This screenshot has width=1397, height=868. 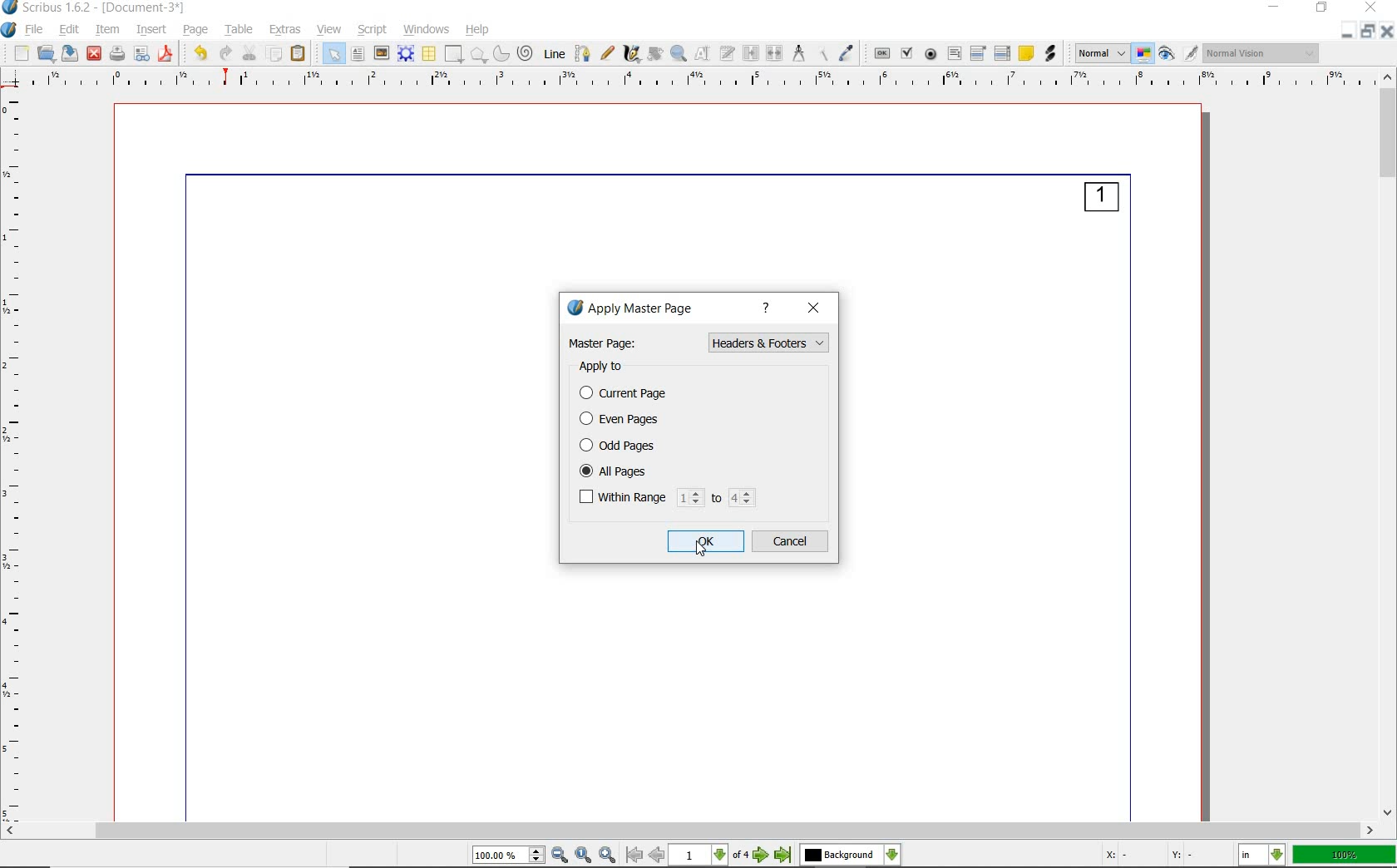 What do you see at coordinates (775, 53) in the screenshot?
I see `unlink text frames` at bounding box center [775, 53].